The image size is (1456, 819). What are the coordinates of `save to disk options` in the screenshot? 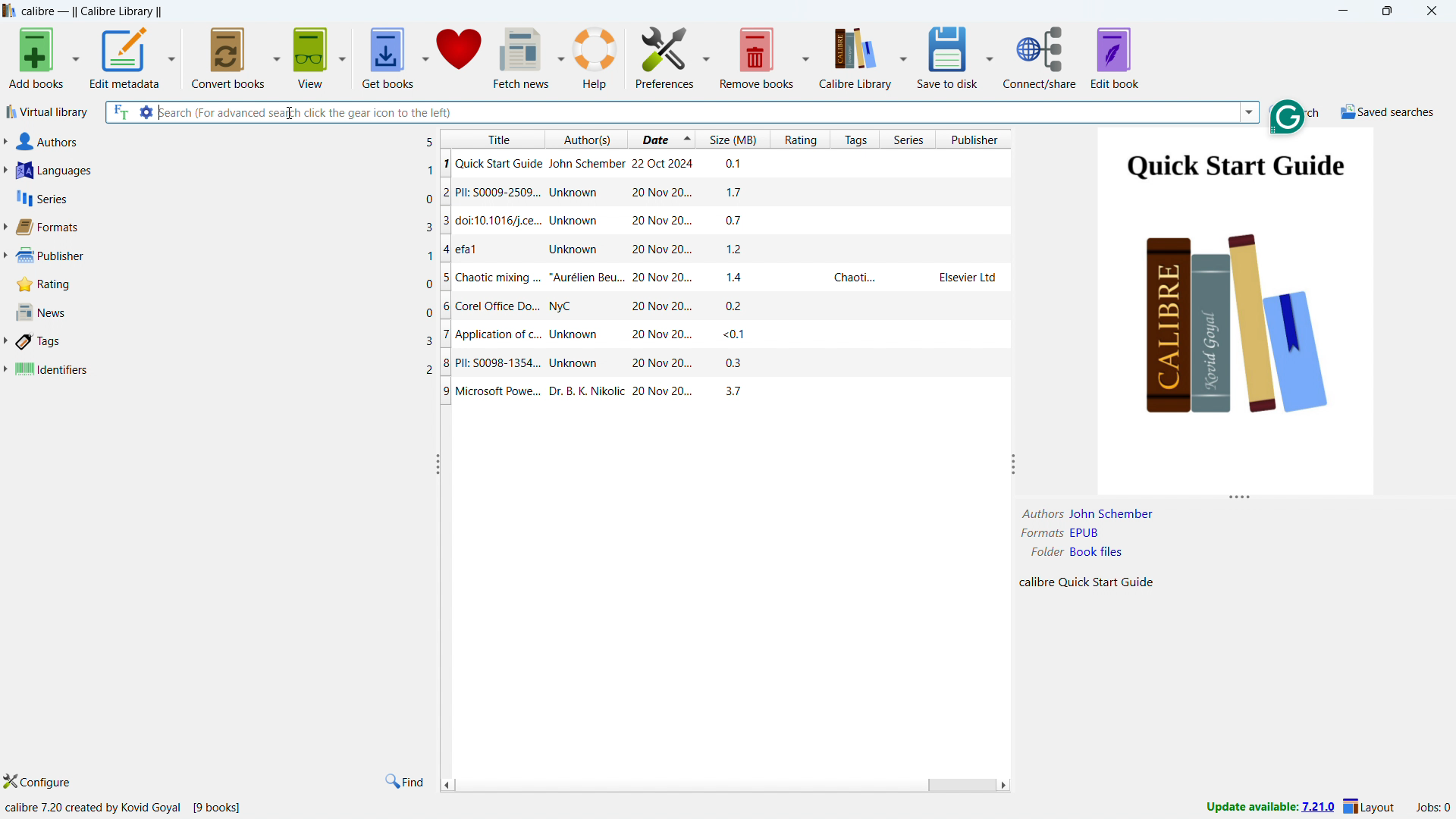 It's located at (990, 56).